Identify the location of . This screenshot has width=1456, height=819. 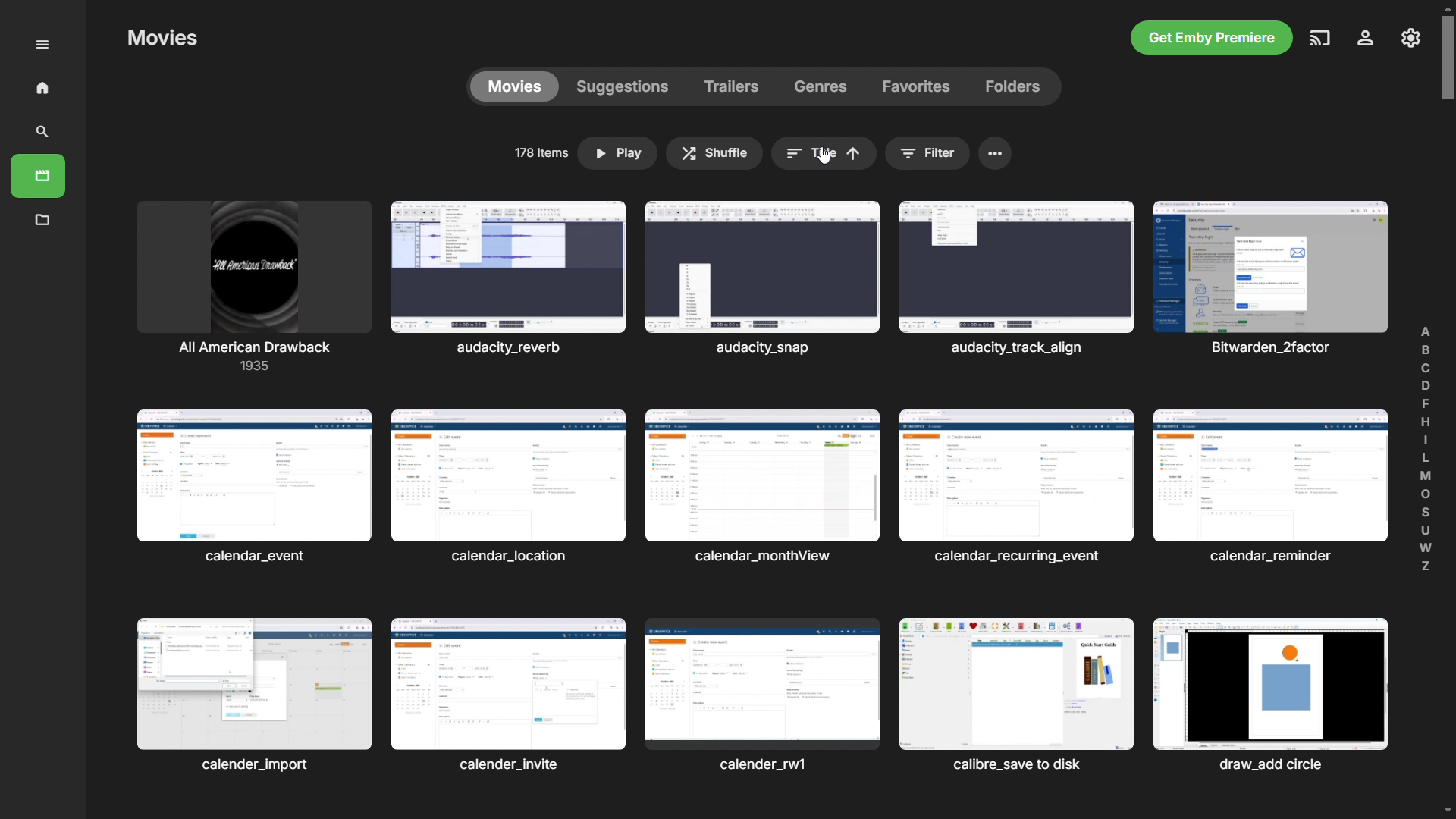
(1018, 280).